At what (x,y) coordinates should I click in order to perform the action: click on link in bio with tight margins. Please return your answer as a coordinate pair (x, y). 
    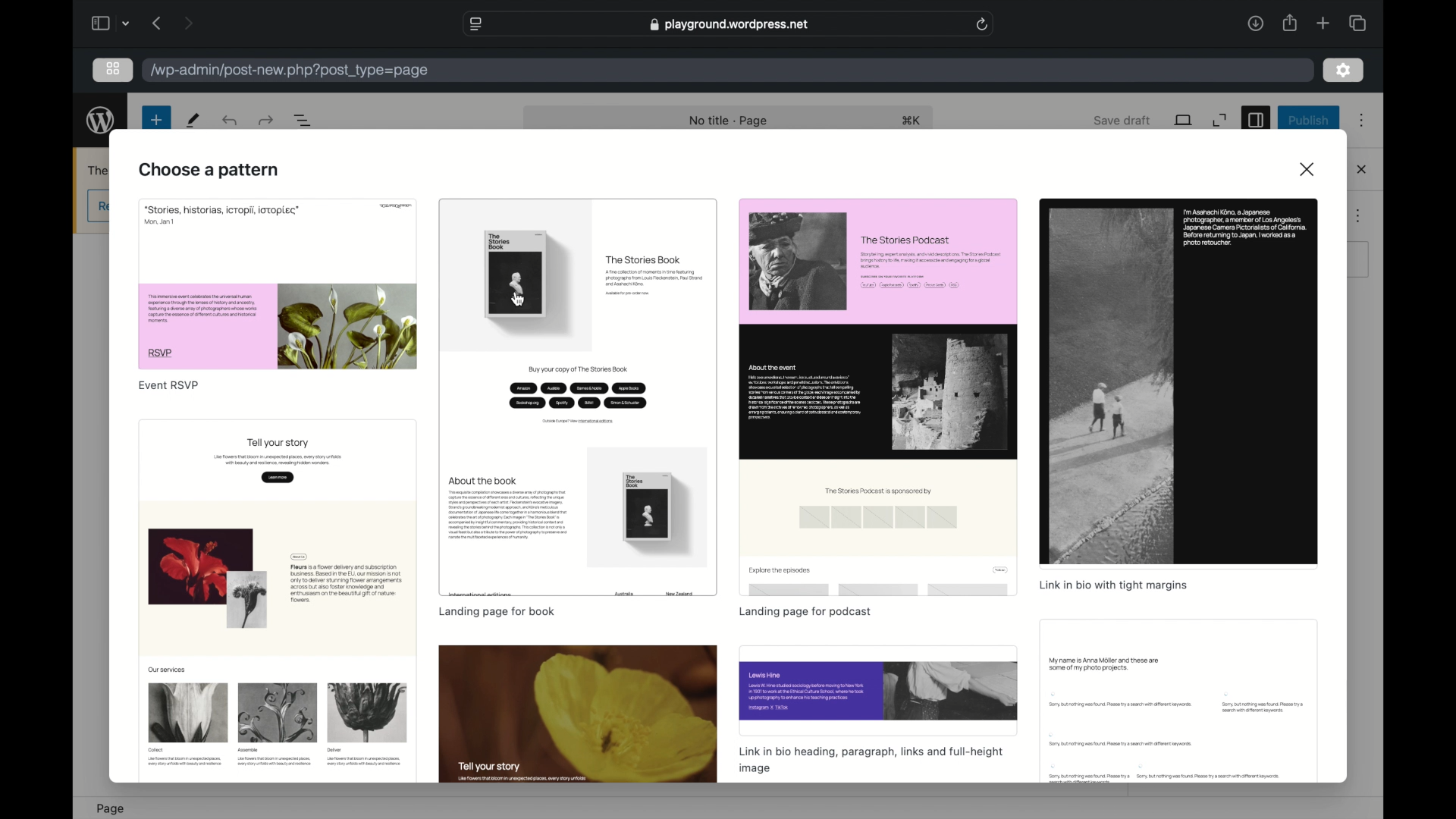
    Looking at the image, I should click on (1115, 586).